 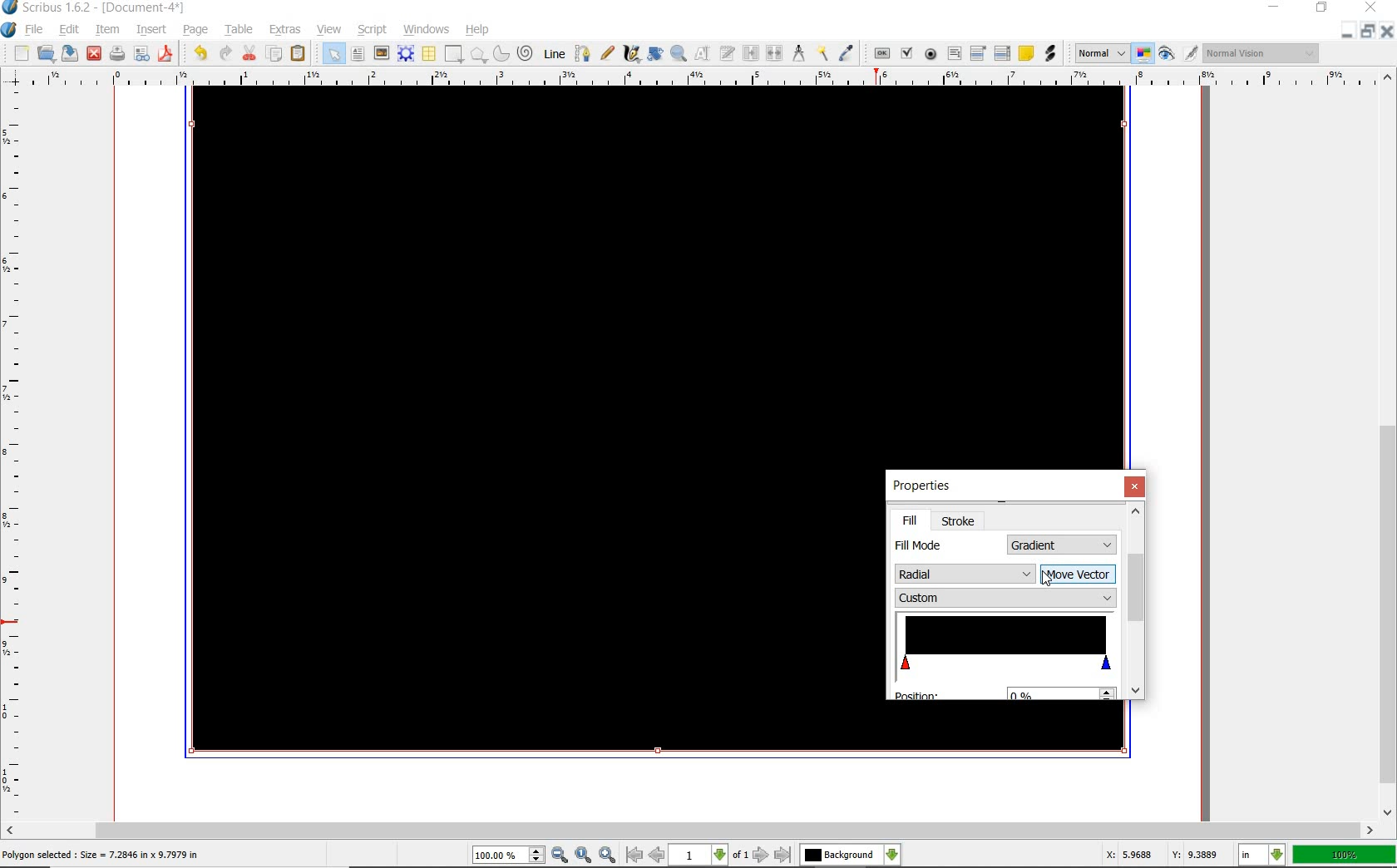 I want to click on pdf list box, so click(x=1002, y=52).